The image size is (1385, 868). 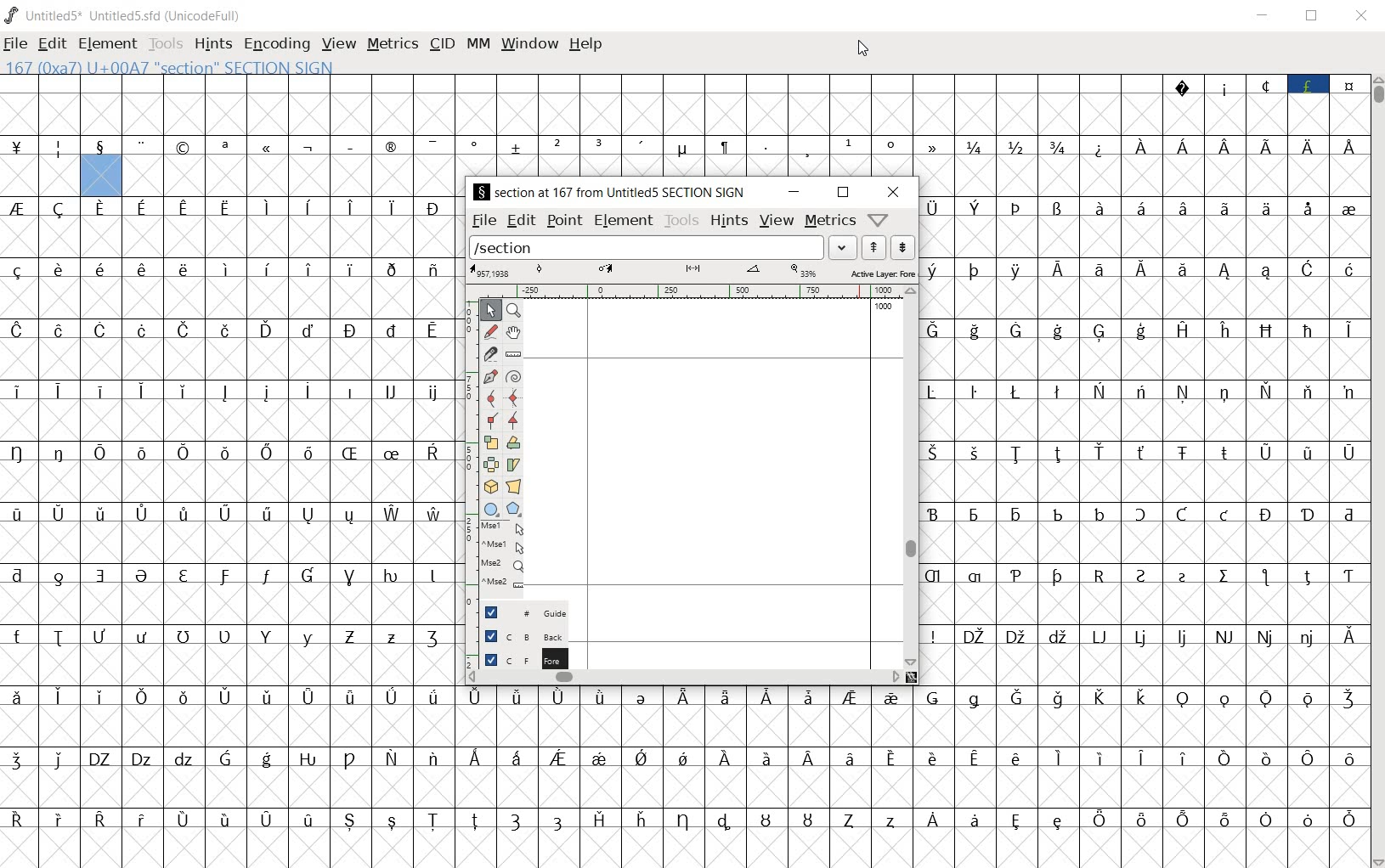 I want to click on empty cells, so click(x=295, y=176).